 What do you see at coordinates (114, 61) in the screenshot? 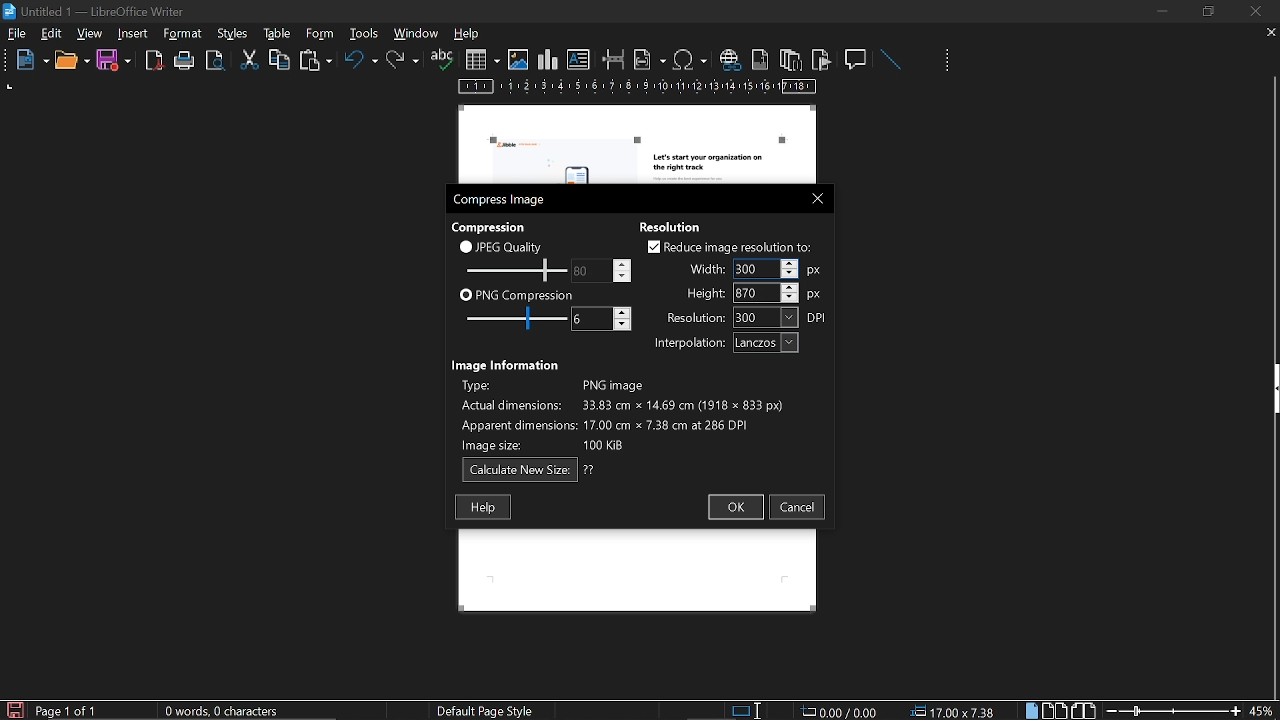
I see `save` at bounding box center [114, 61].